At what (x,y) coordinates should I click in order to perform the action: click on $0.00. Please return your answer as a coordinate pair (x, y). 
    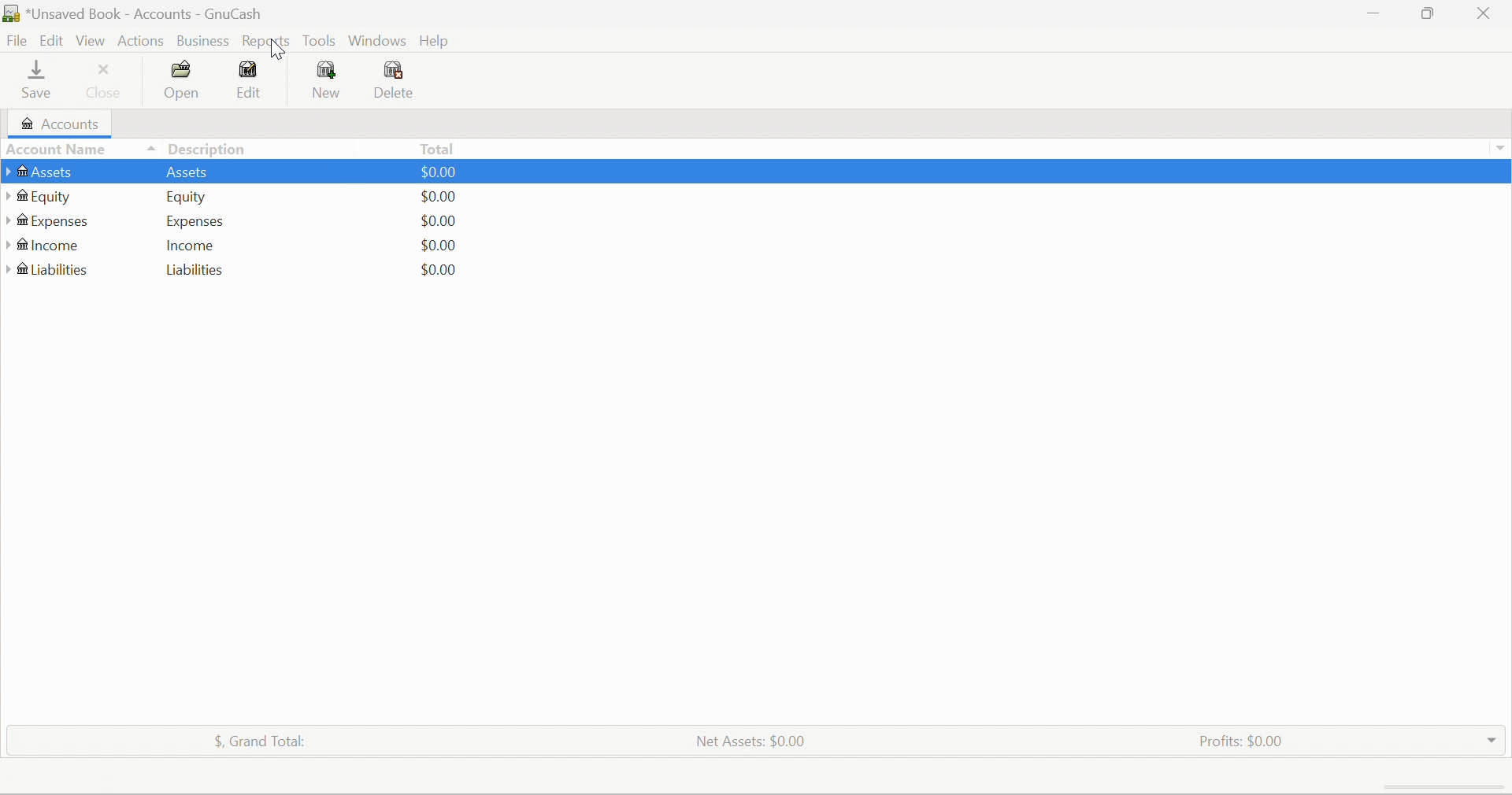
    Looking at the image, I should click on (441, 246).